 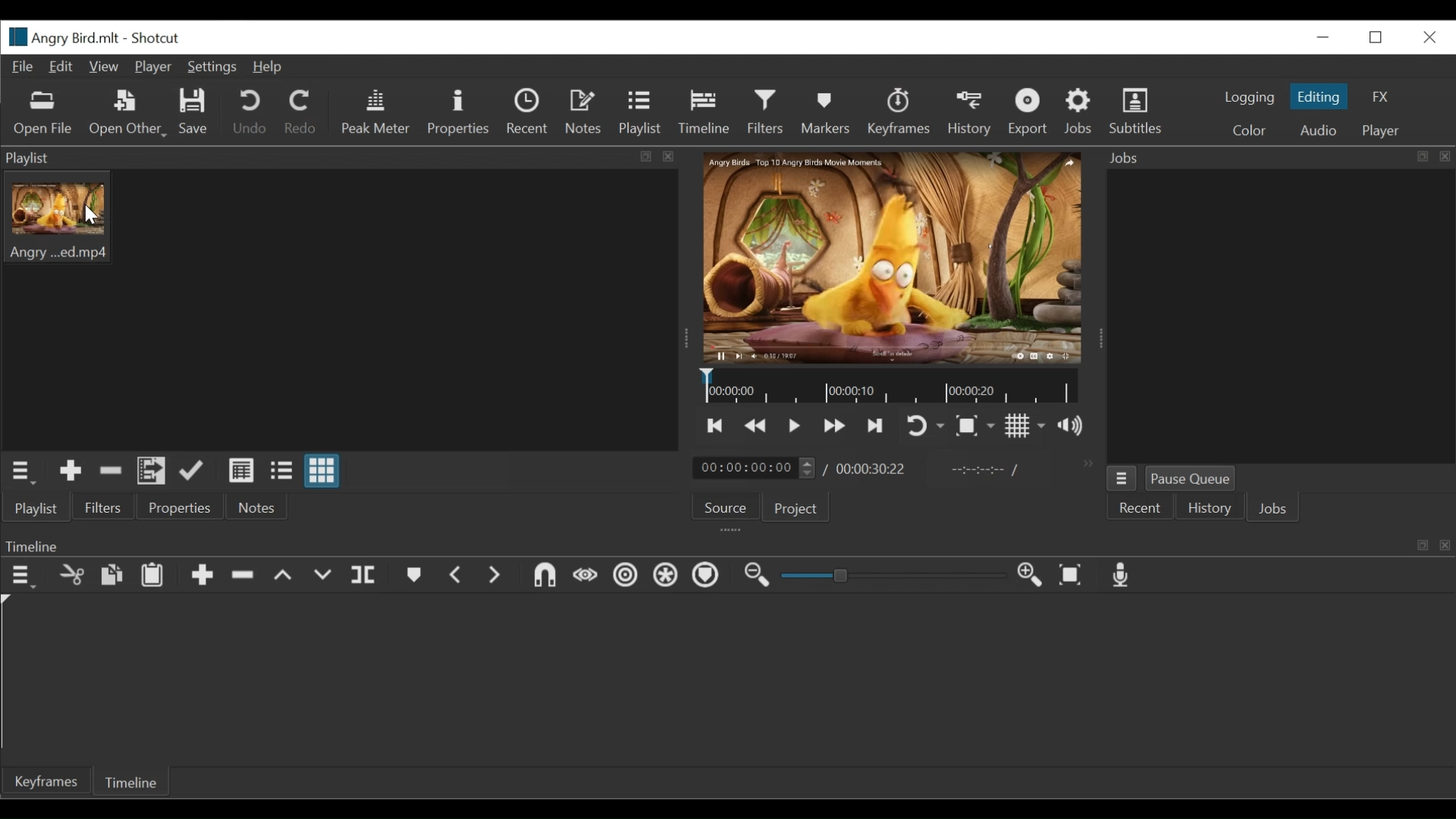 What do you see at coordinates (1030, 576) in the screenshot?
I see `Zoom timeline in` at bounding box center [1030, 576].